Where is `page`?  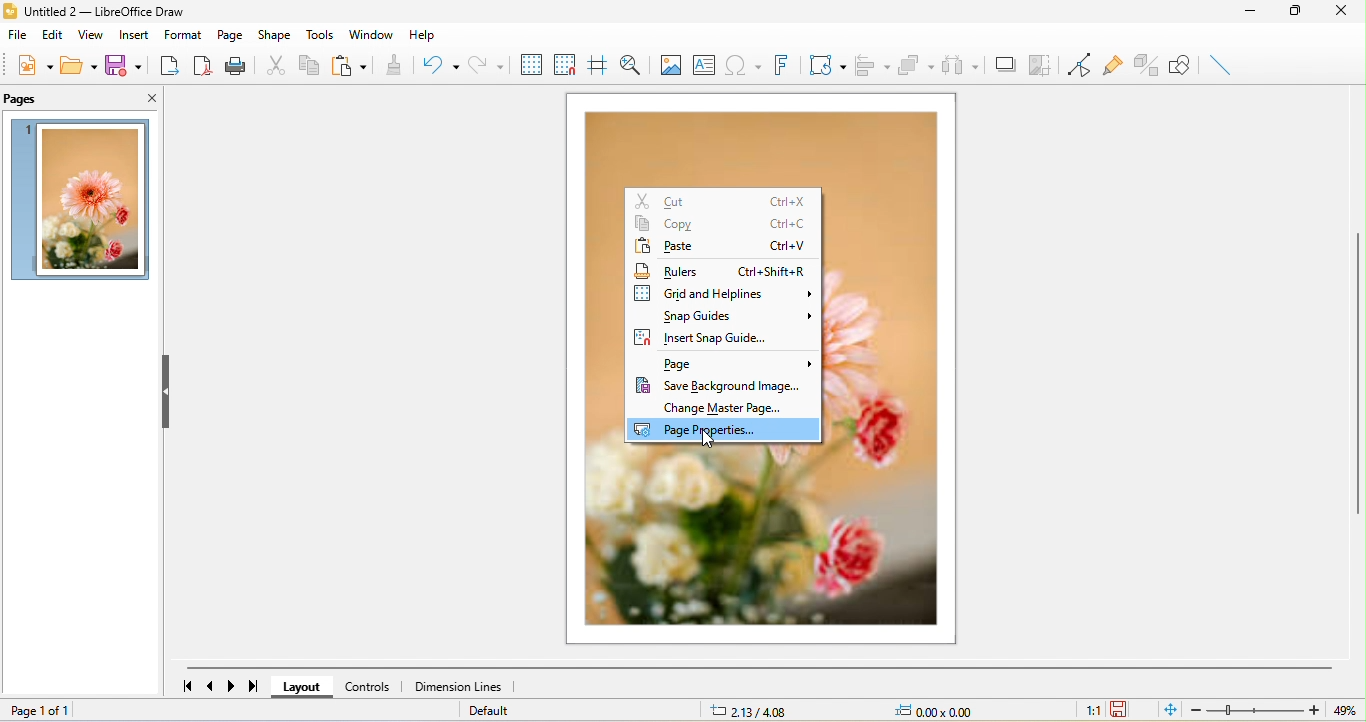
page is located at coordinates (733, 362).